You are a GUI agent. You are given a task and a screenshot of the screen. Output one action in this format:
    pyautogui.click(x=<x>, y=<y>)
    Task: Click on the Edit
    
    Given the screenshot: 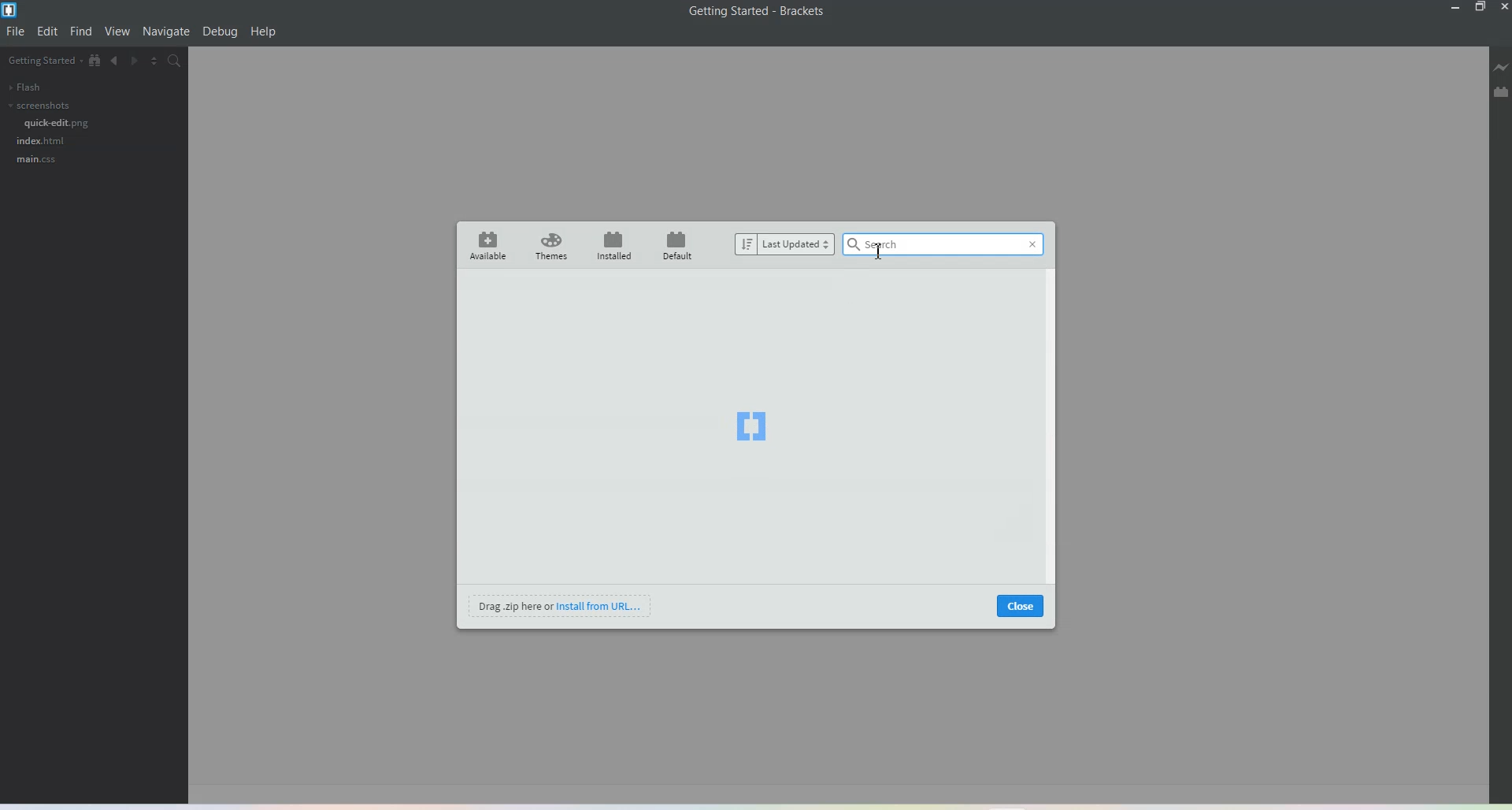 What is the action you would take?
    pyautogui.click(x=48, y=32)
    